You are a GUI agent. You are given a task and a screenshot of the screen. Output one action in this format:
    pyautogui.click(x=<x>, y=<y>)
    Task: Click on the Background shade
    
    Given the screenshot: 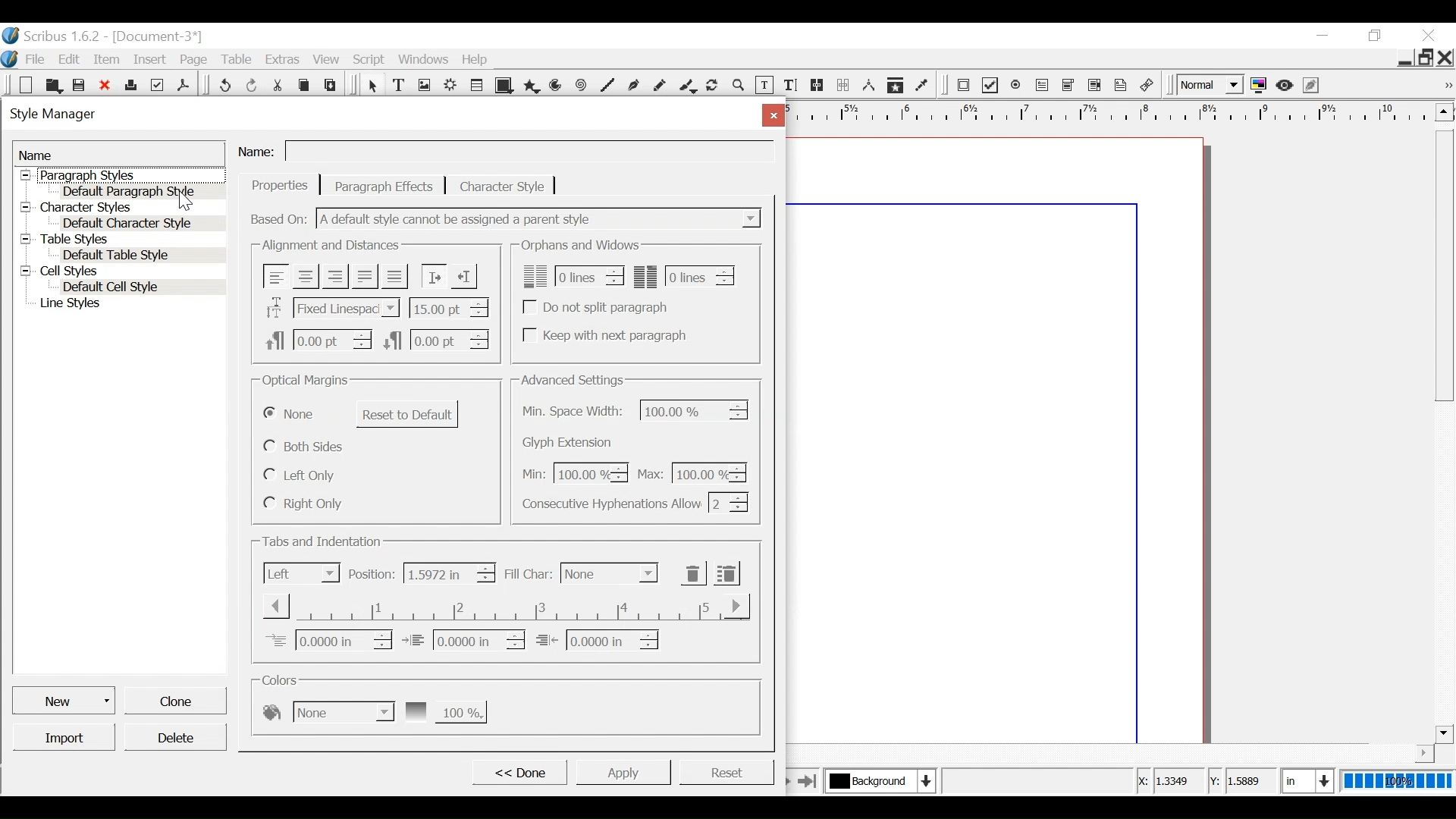 What is the action you would take?
    pyautogui.click(x=444, y=711)
    